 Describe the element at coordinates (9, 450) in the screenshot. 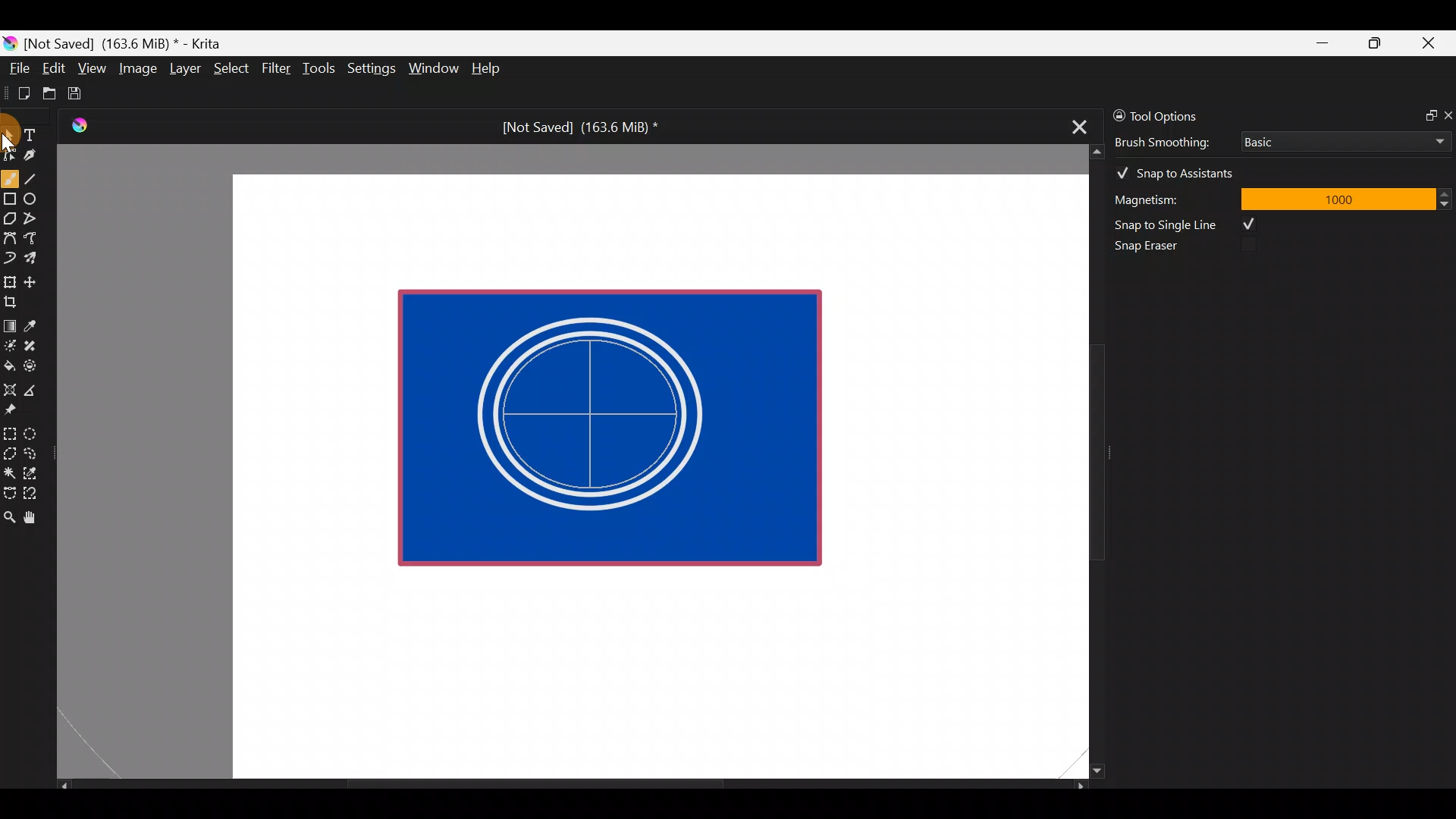

I see `Polygonal section tool` at that location.